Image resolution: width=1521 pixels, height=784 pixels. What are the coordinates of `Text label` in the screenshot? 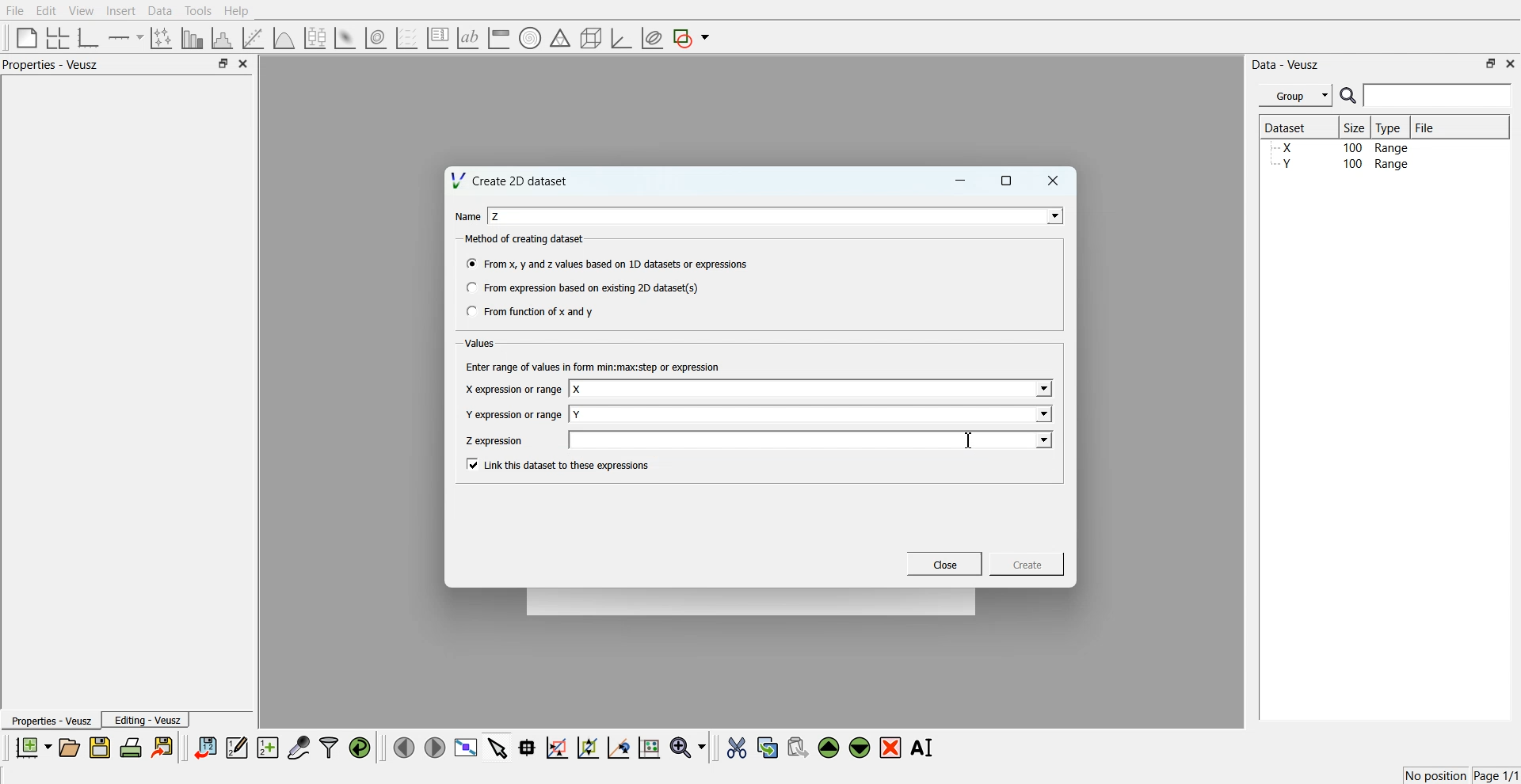 It's located at (468, 38).